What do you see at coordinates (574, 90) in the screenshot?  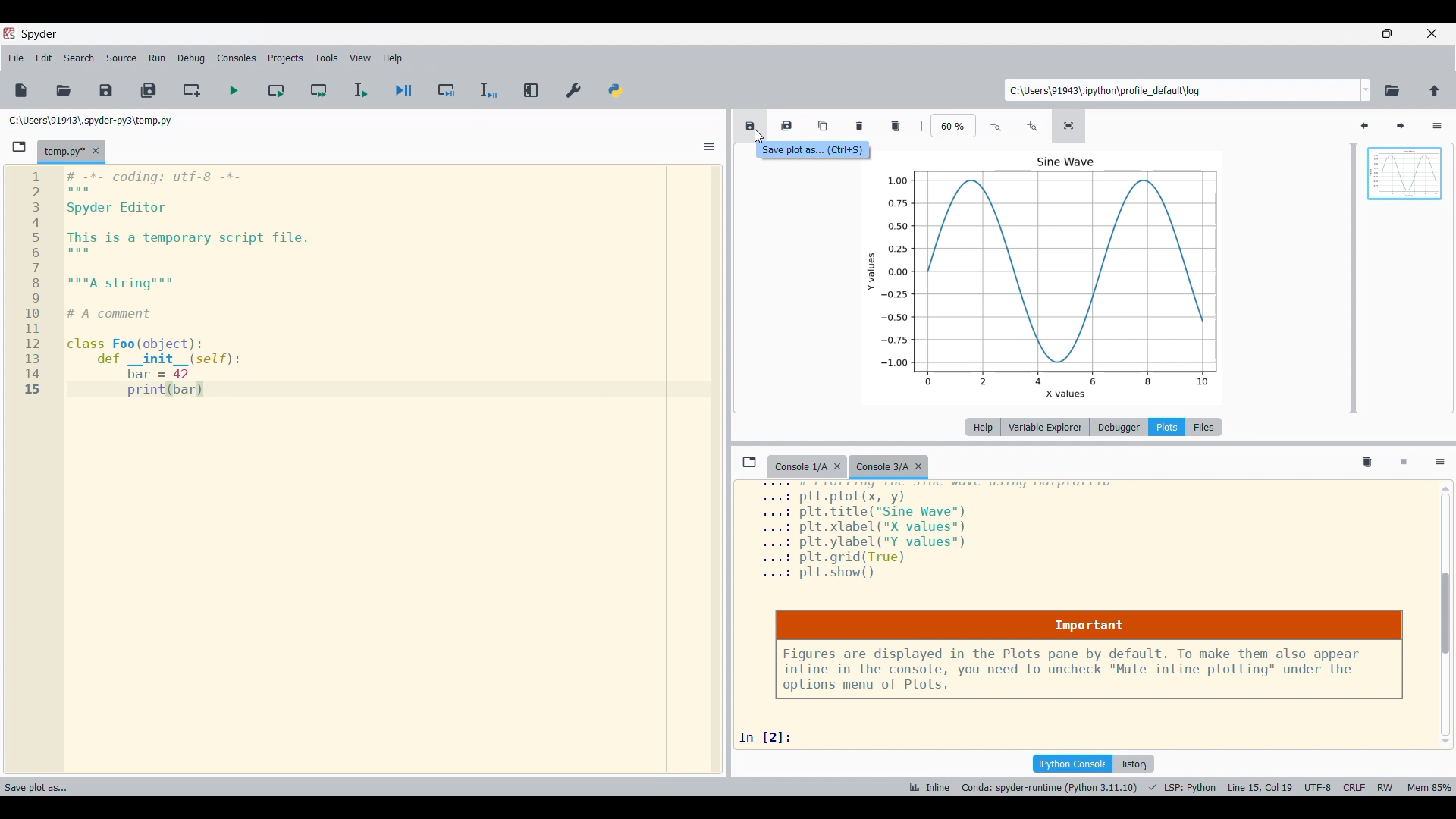 I see `Preferences` at bounding box center [574, 90].